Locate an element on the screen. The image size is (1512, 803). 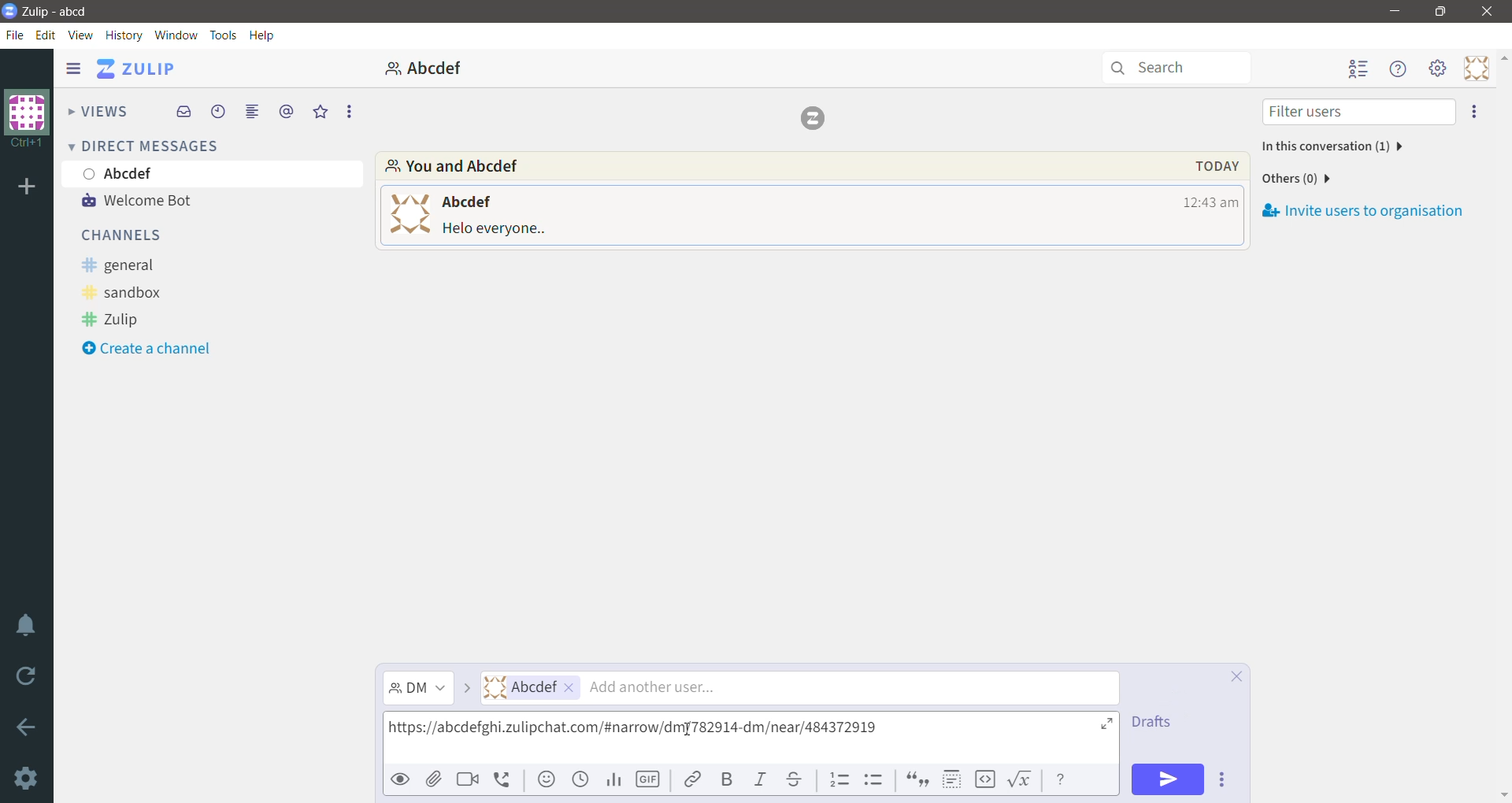
Application Name - Organization Name is located at coordinates (64, 9).